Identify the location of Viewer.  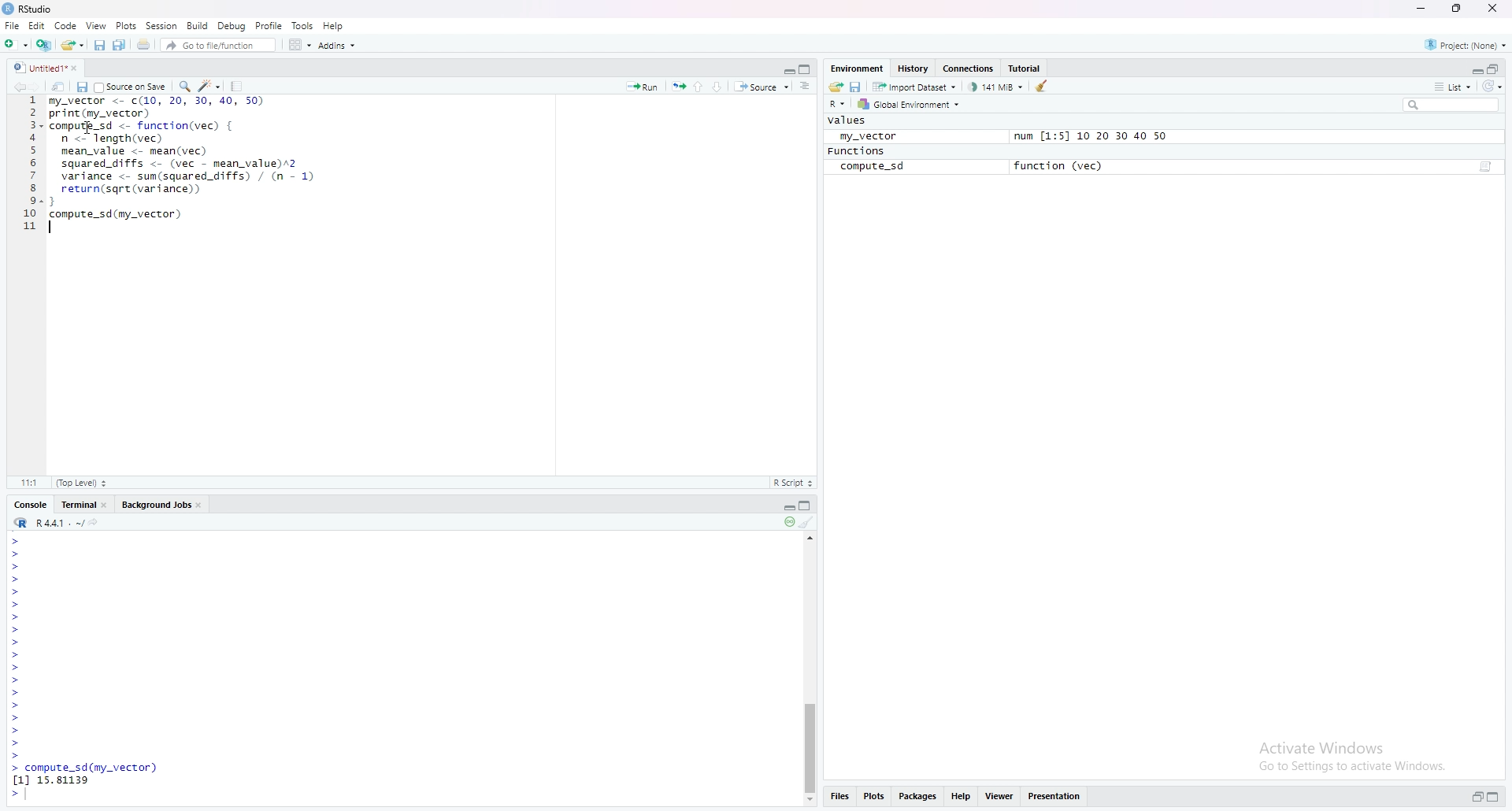
(997, 796).